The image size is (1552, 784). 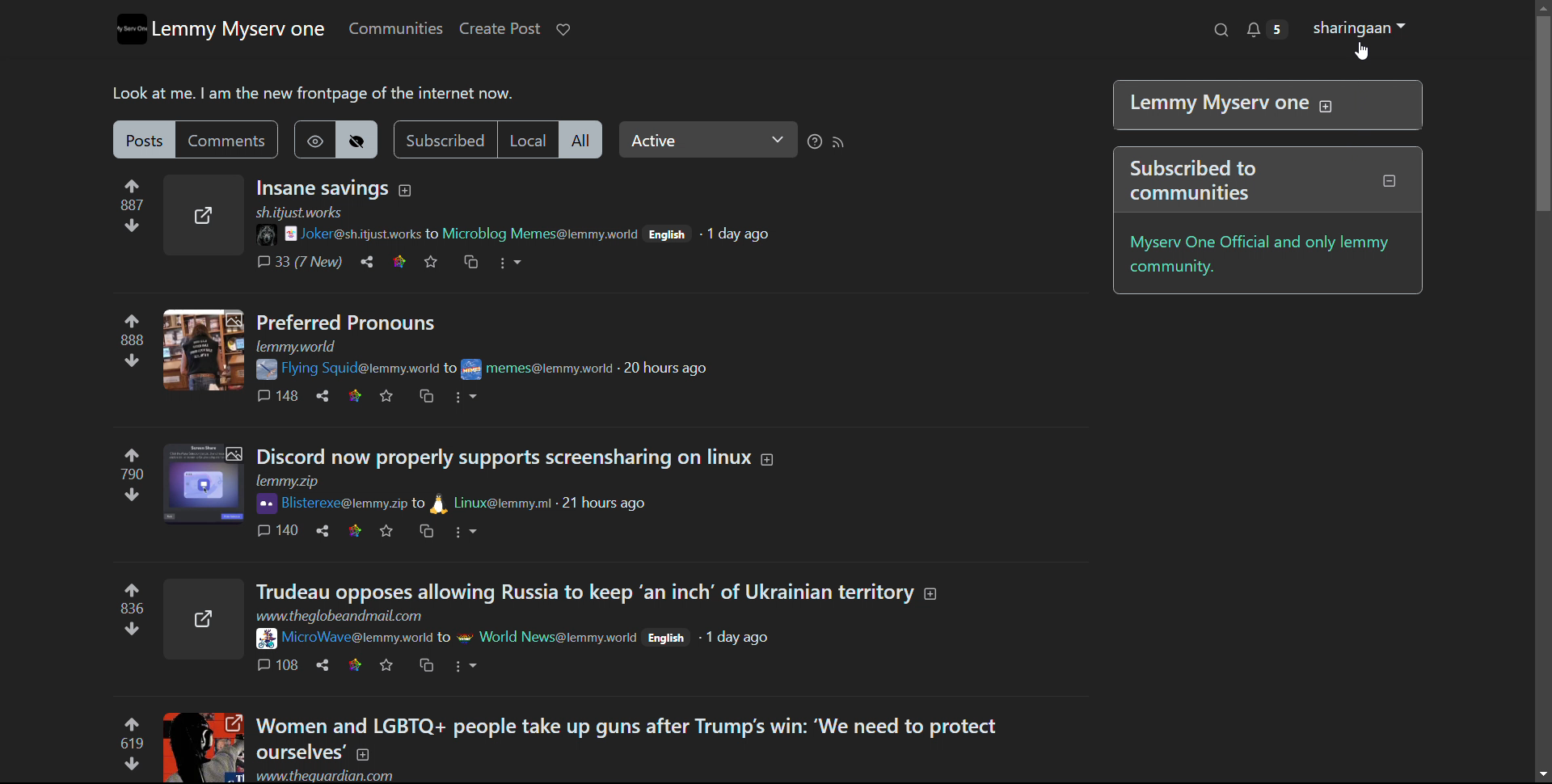 What do you see at coordinates (387, 665) in the screenshot?
I see `favorites` at bounding box center [387, 665].